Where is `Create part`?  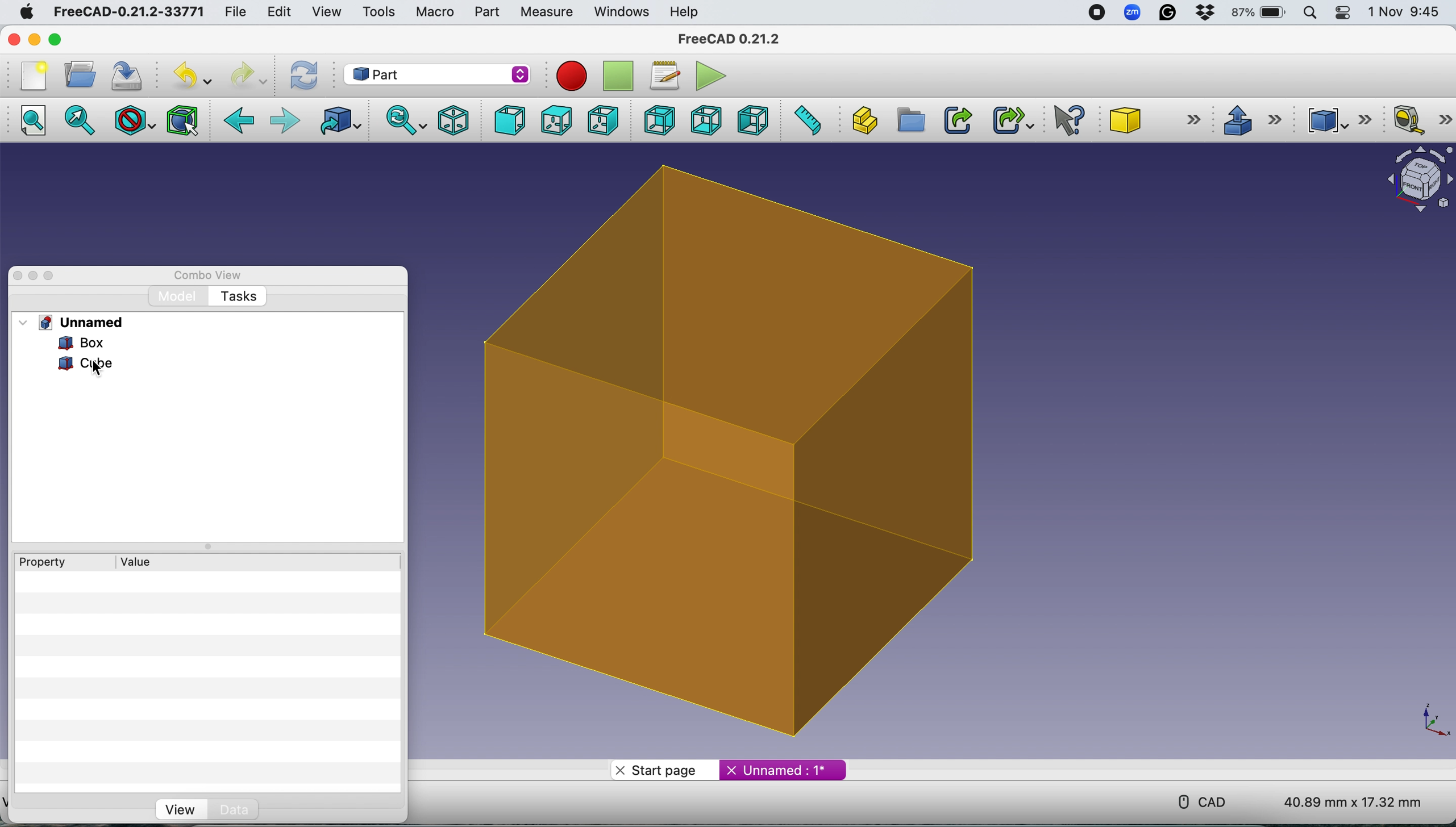
Create part is located at coordinates (861, 120).